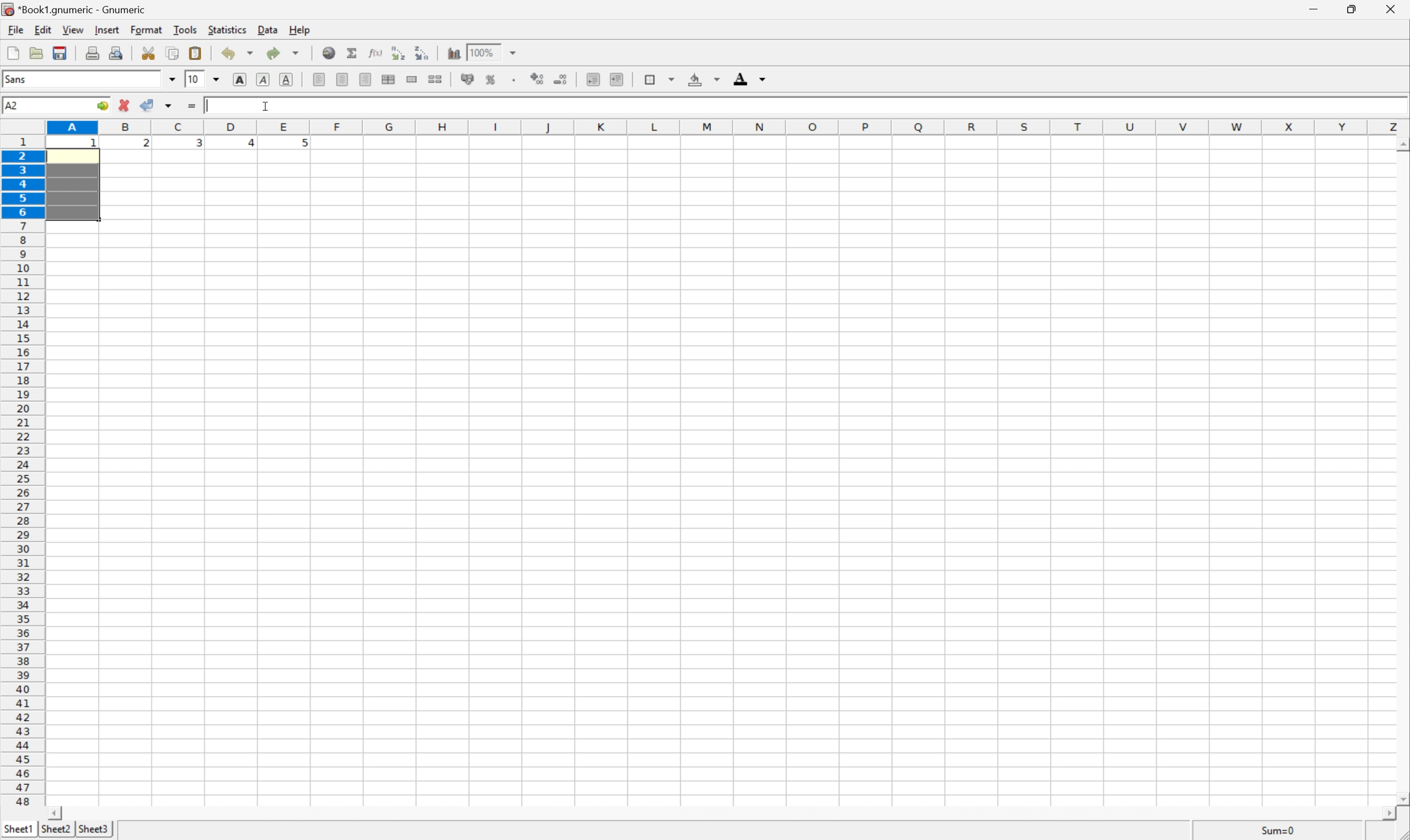 This screenshot has width=1410, height=840. What do you see at coordinates (491, 80) in the screenshot?
I see `format selection as percentage` at bounding box center [491, 80].